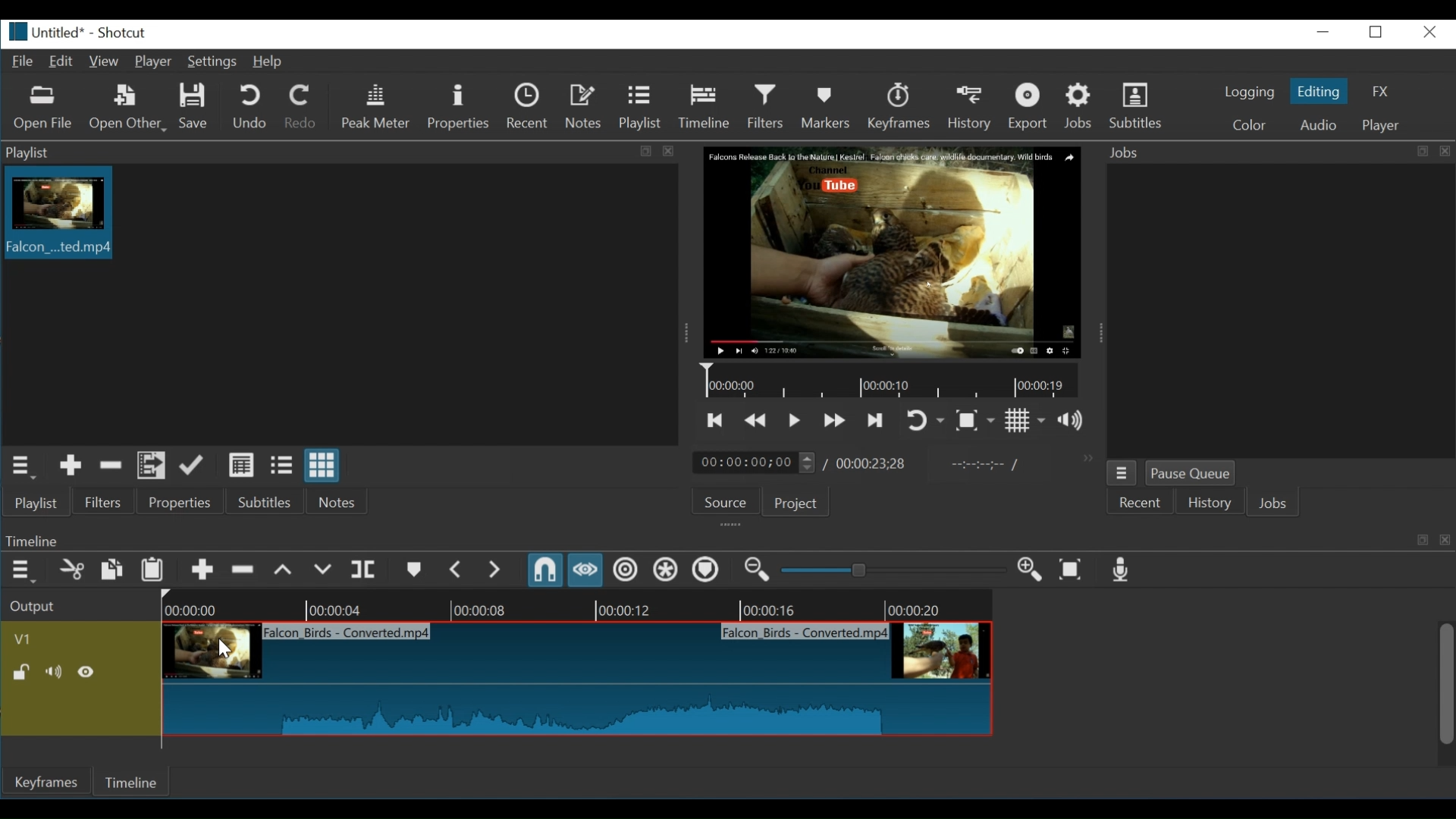  What do you see at coordinates (271, 500) in the screenshot?
I see `Subtitles` at bounding box center [271, 500].